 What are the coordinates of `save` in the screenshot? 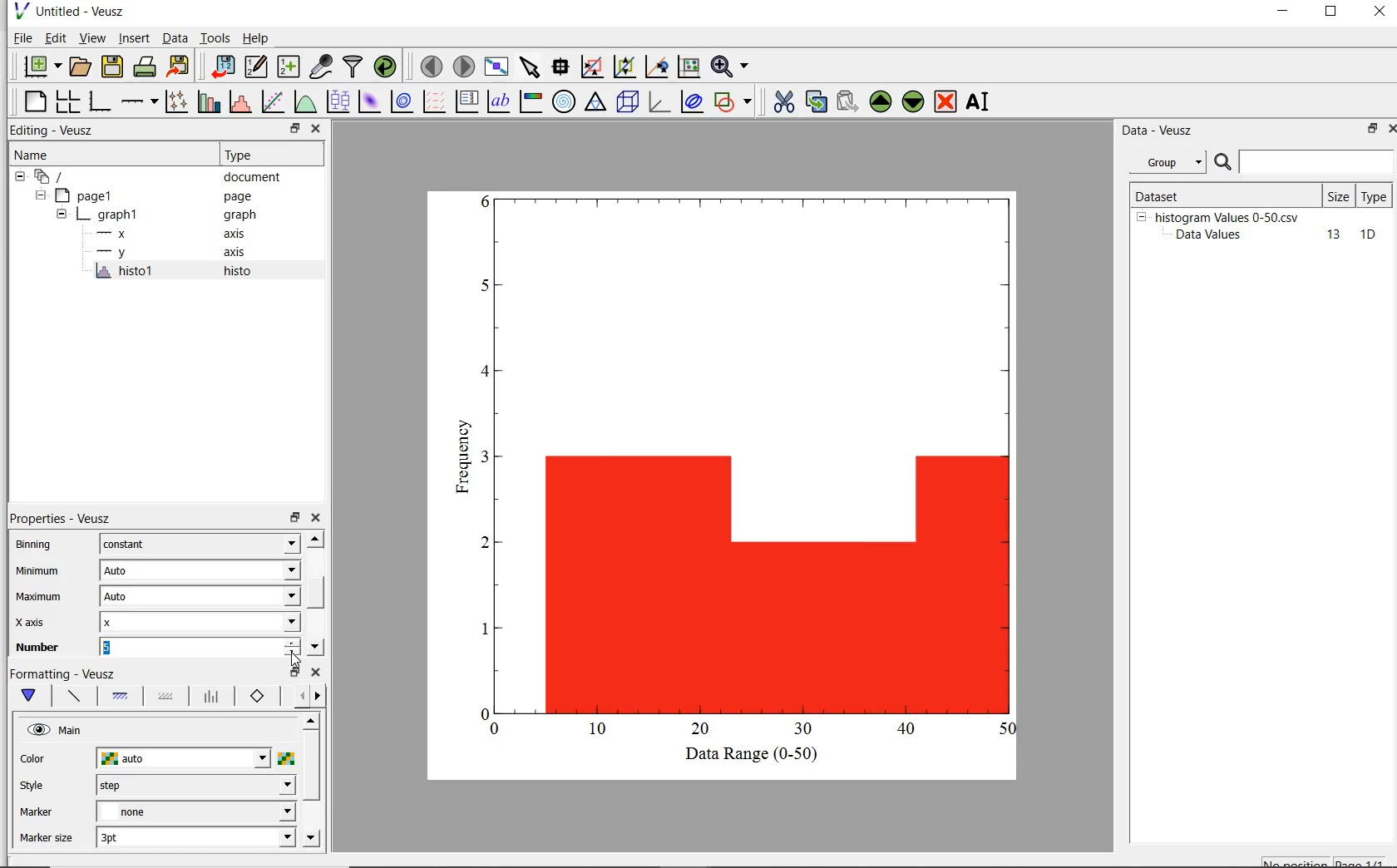 It's located at (113, 65).